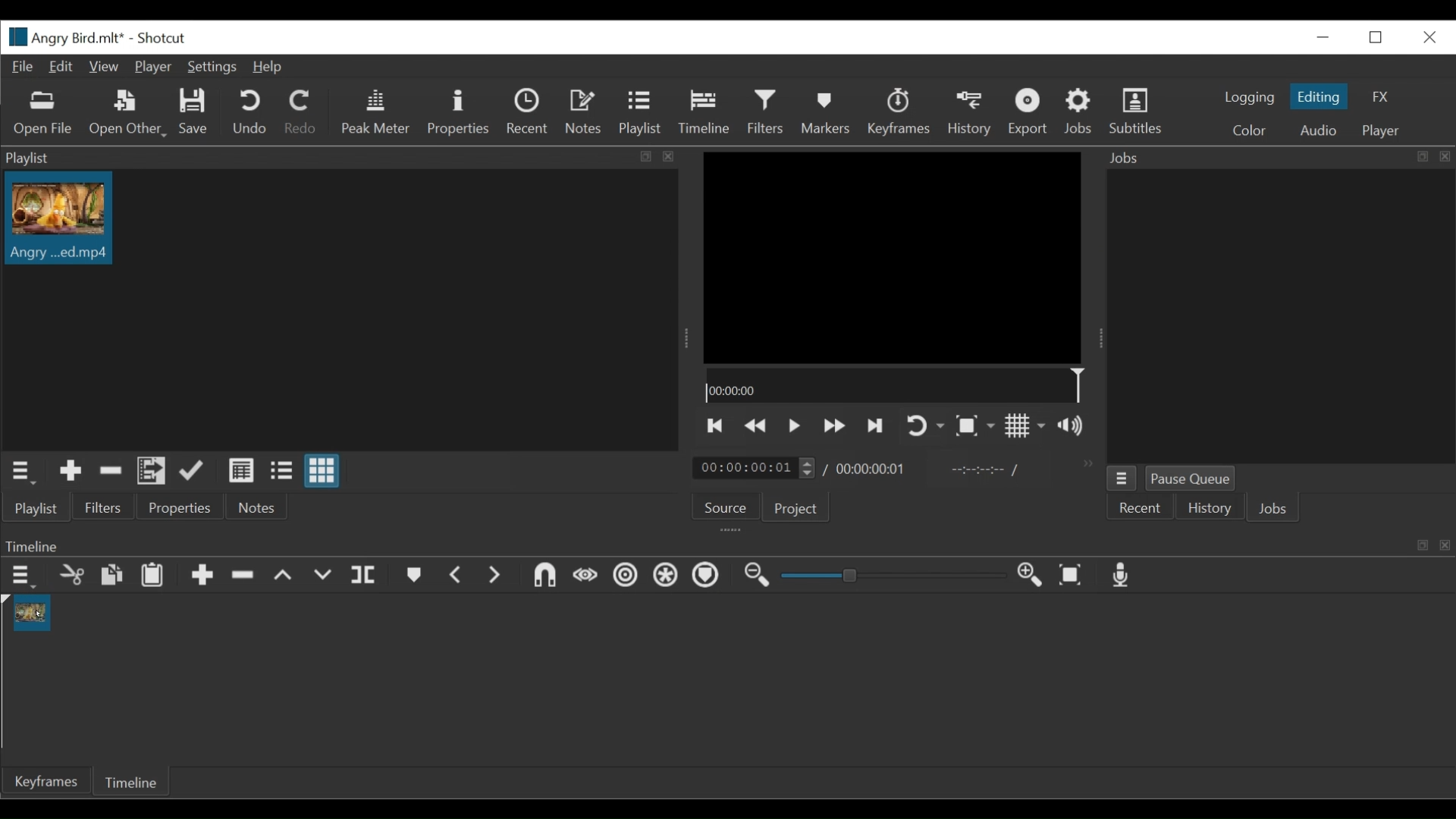 The image size is (1456, 819). Describe the element at coordinates (755, 466) in the screenshot. I see `Current Duration` at that location.